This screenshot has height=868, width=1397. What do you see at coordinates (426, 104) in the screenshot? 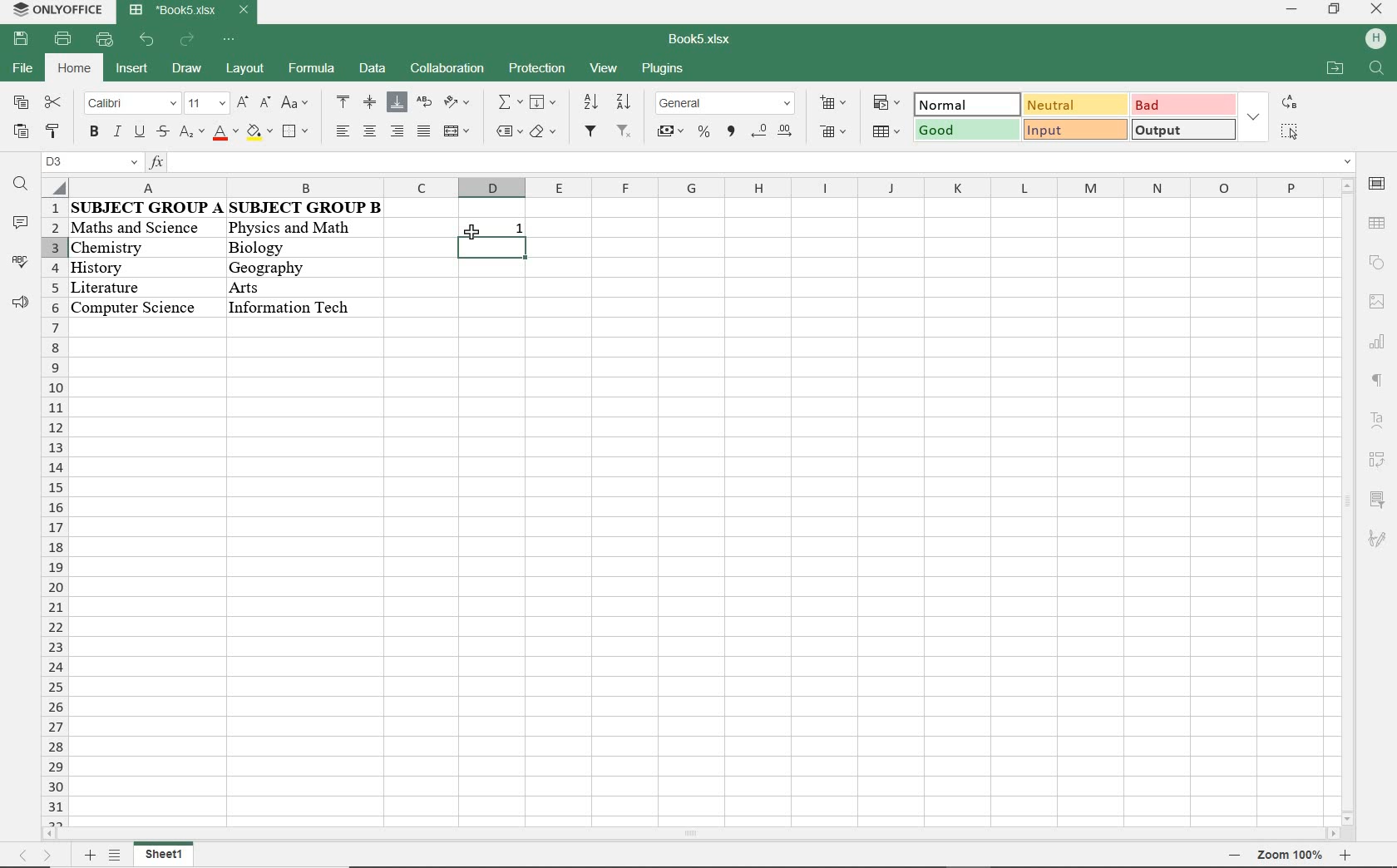
I see `wrap text` at bounding box center [426, 104].